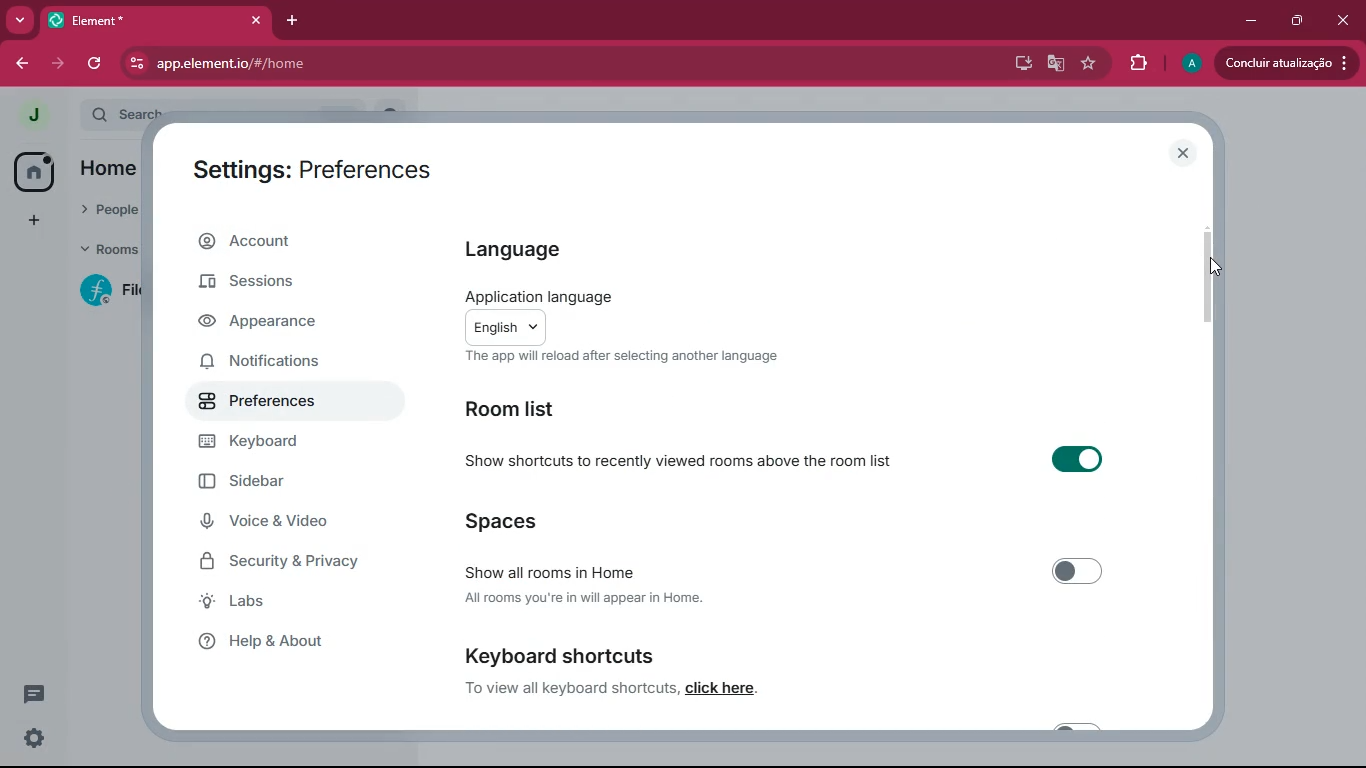 The height and width of the screenshot is (768, 1366). Describe the element at coordinates (507, 327) in the screenshot. I see `english` at that location.